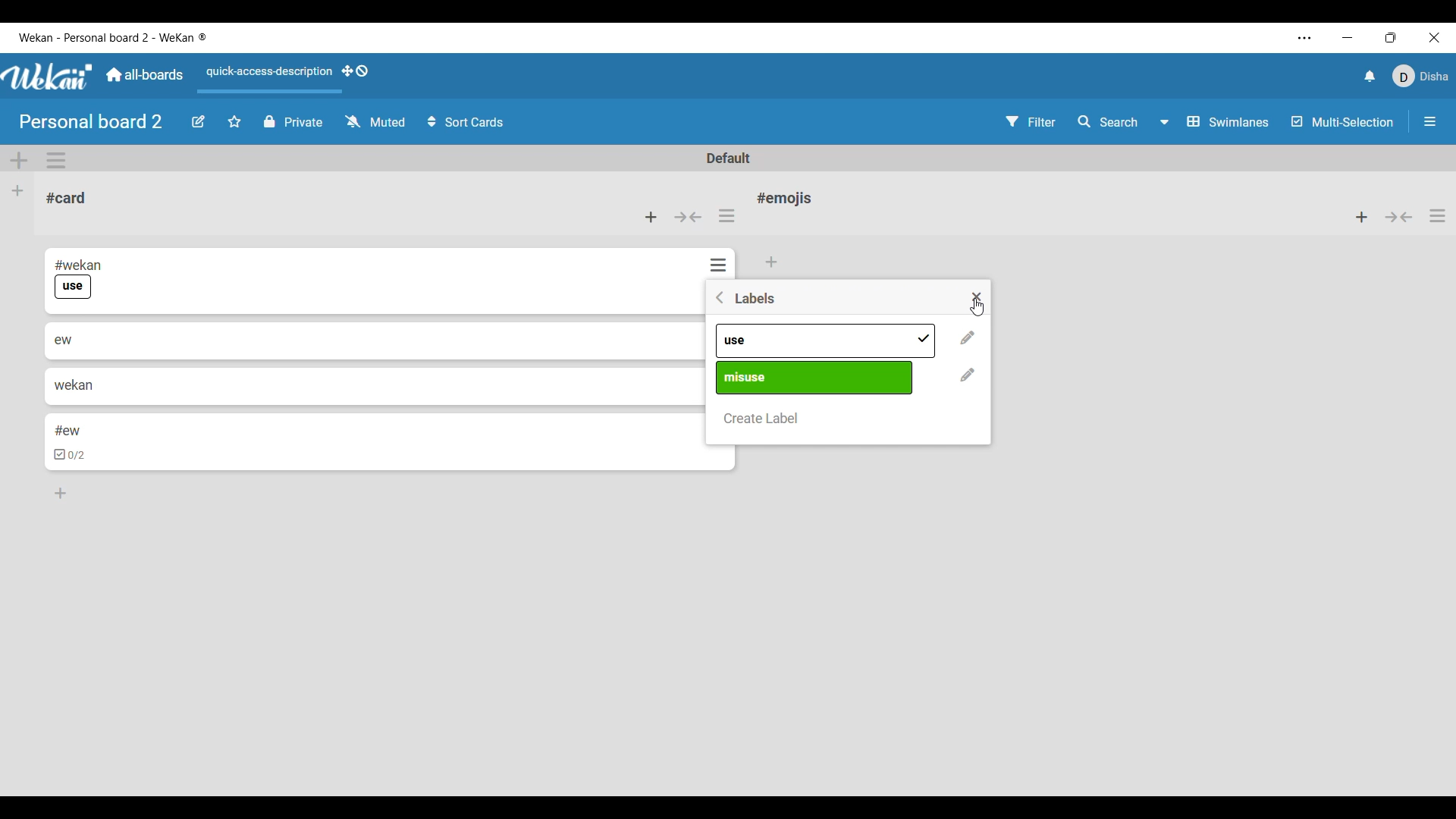 The image size is (1456, 819). What do you see at coordinates (198, 122) in the screenshot?
I see `Edit` at bounding box center [198, 122].